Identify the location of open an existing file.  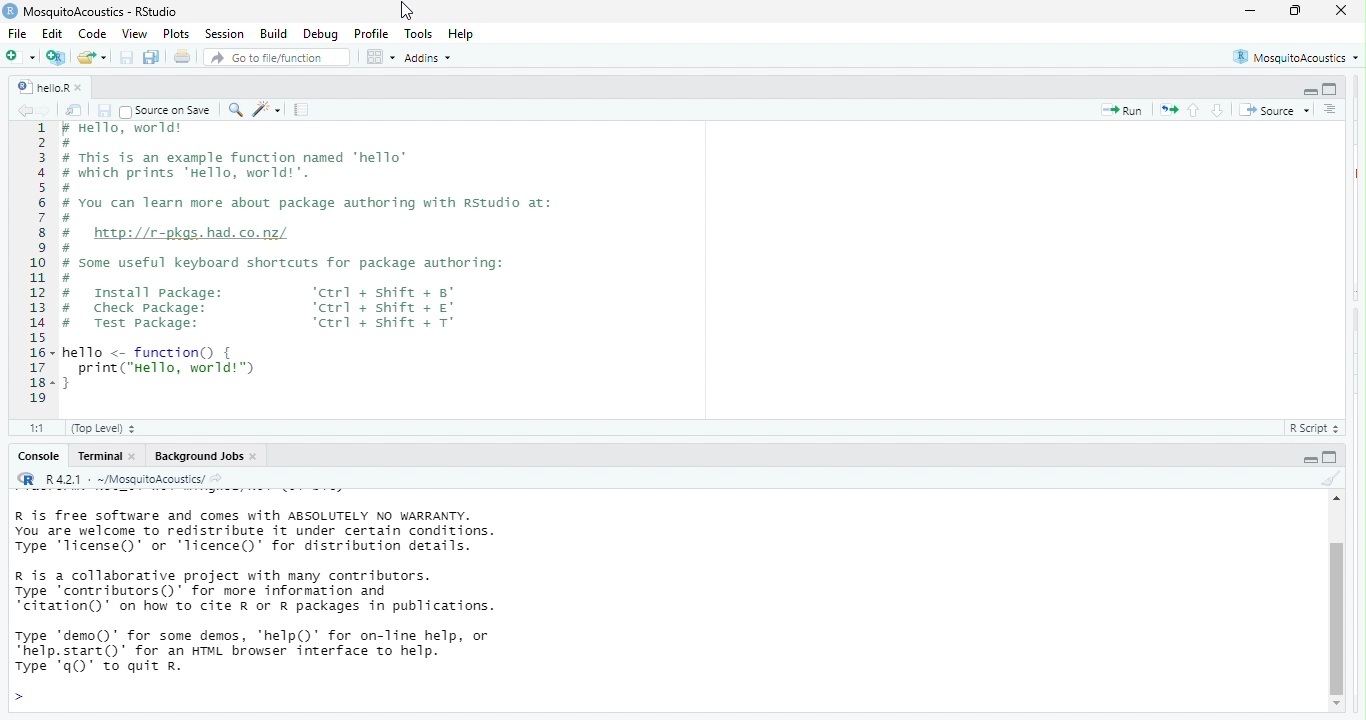
(92, 56).